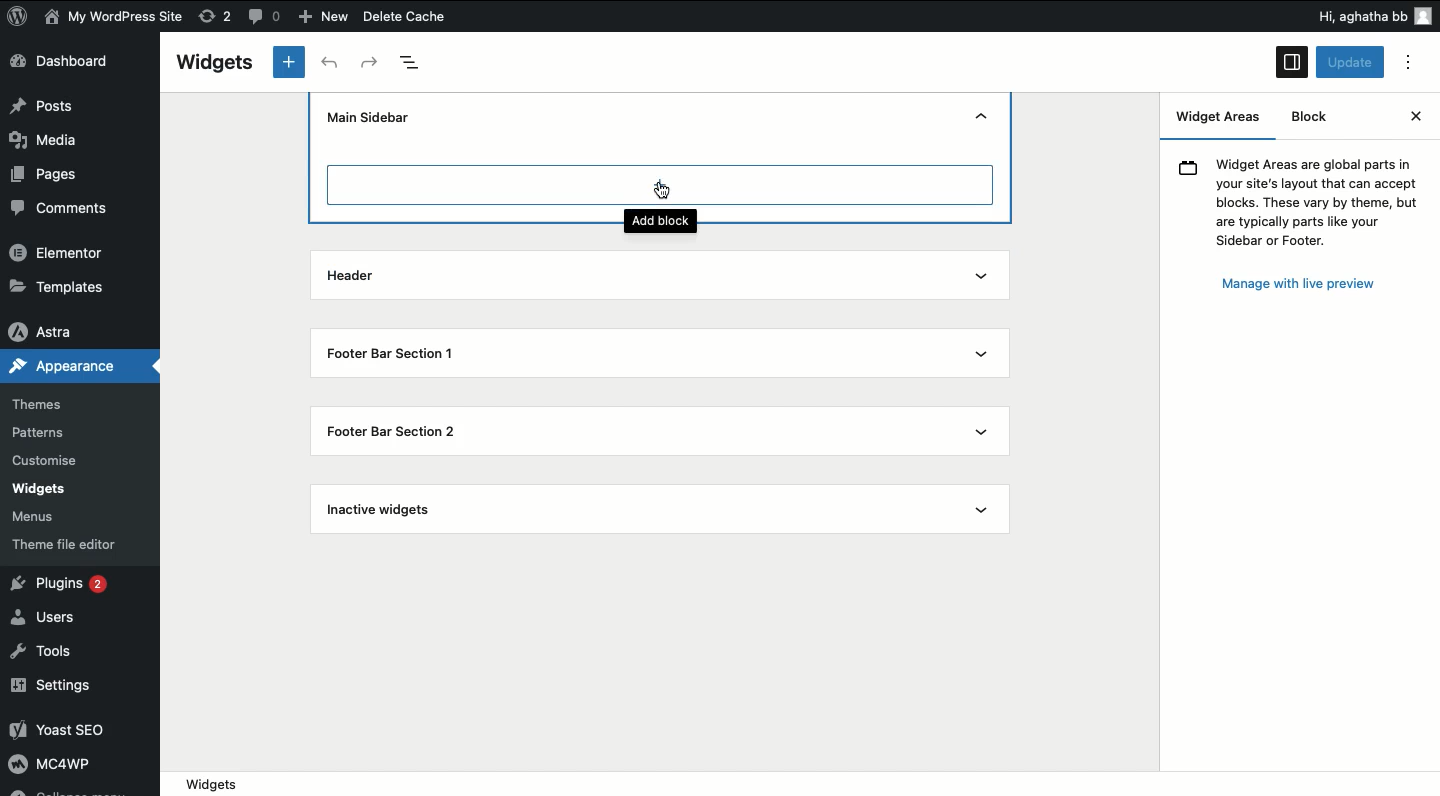 The width and height of the screenshot is (1440, 796). I want to click on Close, so click(1415, 117).